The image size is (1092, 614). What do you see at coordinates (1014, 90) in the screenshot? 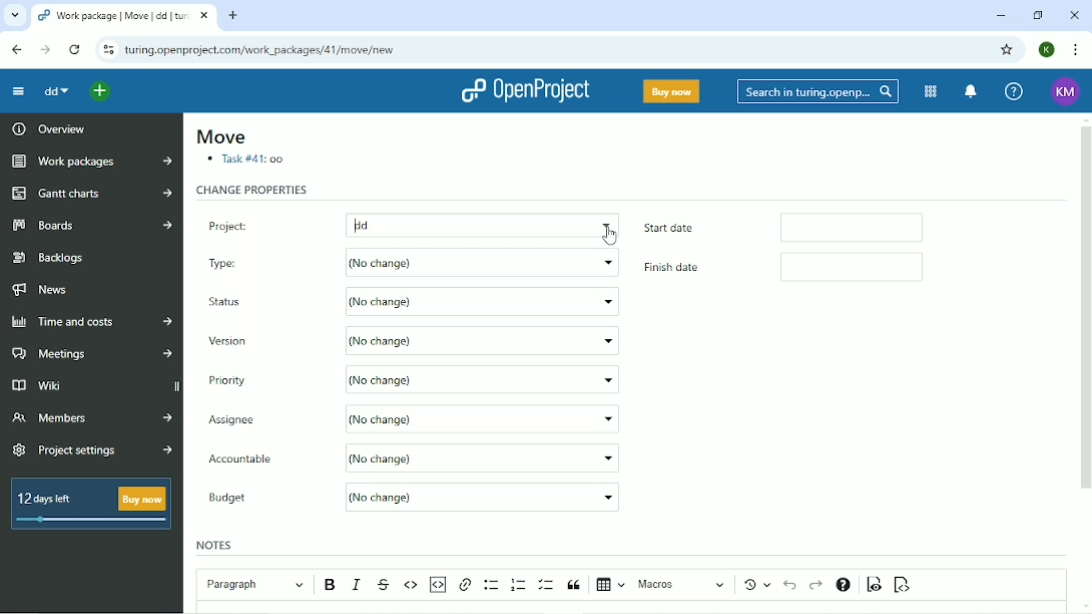
I see `Help` at bounding box center [1014, 90].